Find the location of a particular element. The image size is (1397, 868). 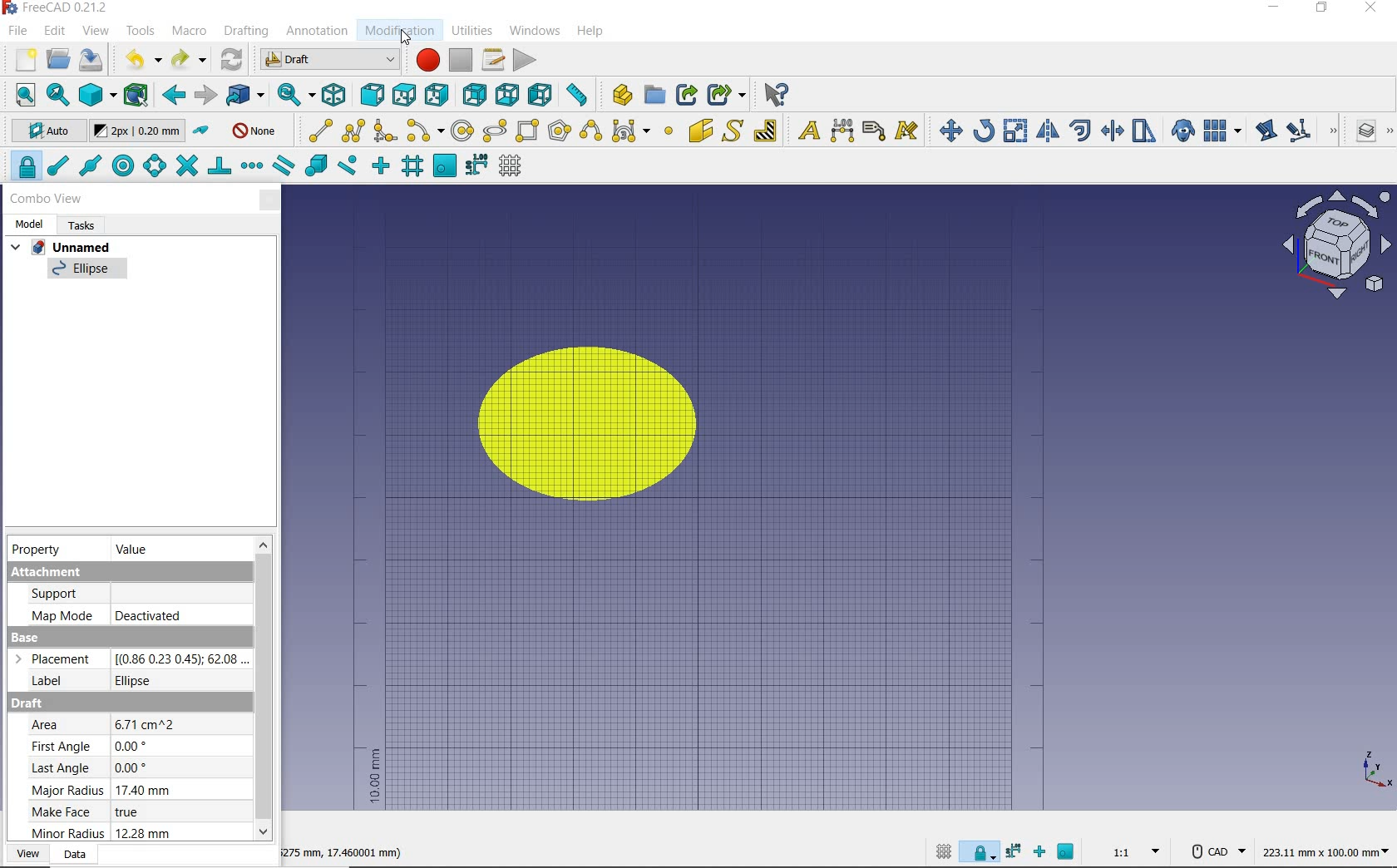

front is located at coordinates (371, 94).